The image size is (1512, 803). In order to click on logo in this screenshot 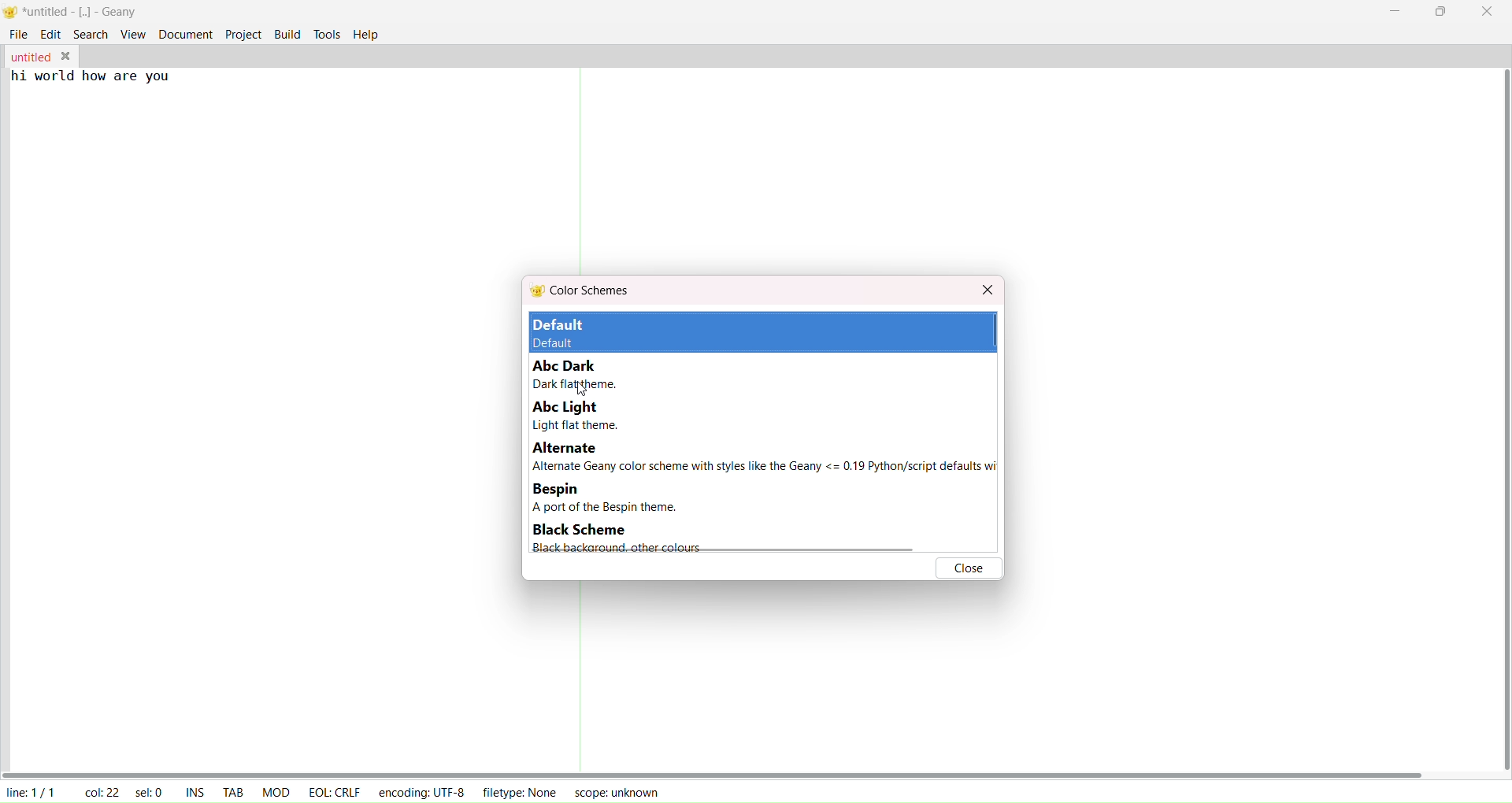, I will do `click(12, 12)`.